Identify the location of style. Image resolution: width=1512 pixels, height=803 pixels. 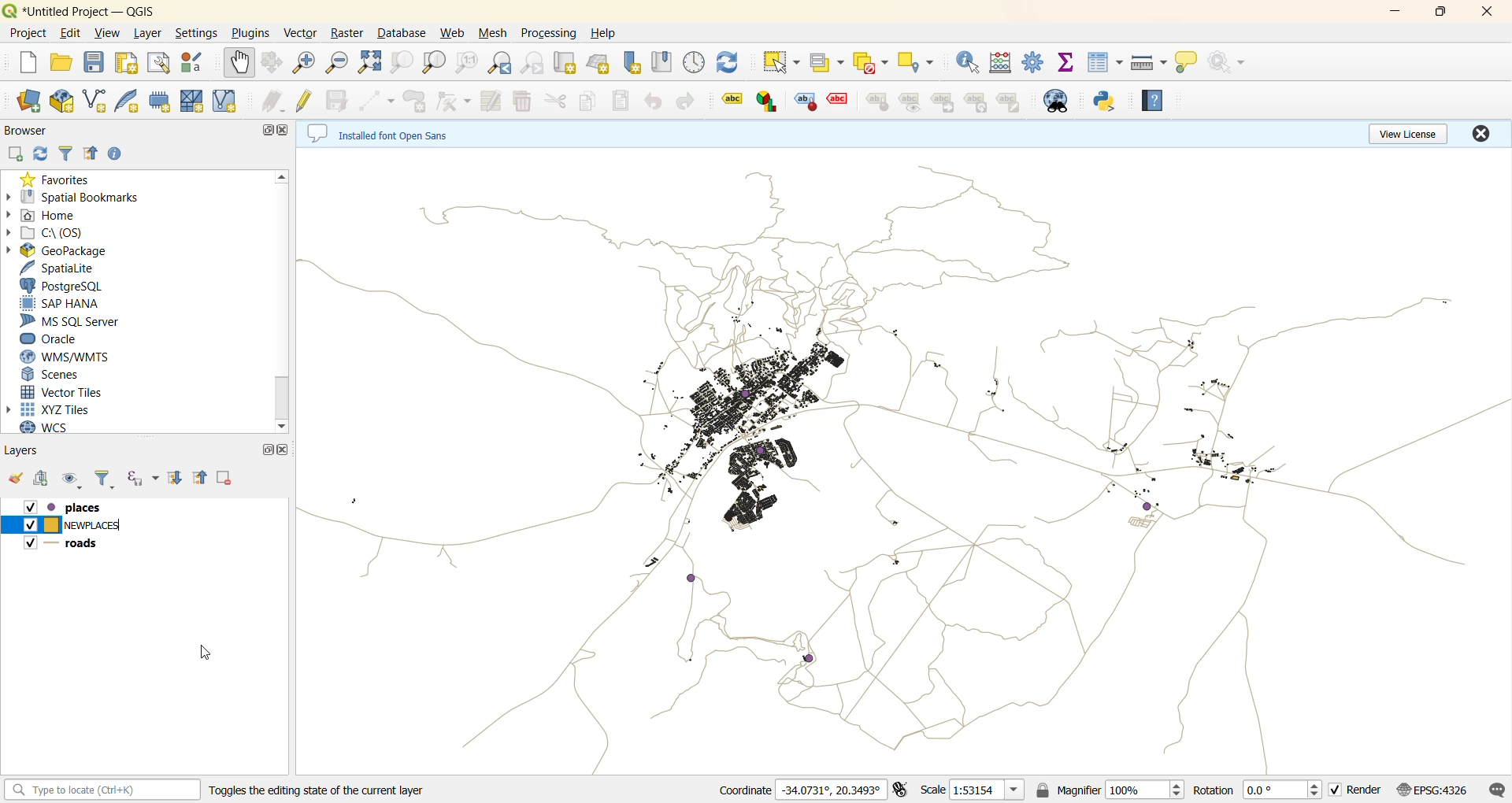
(806, 102).